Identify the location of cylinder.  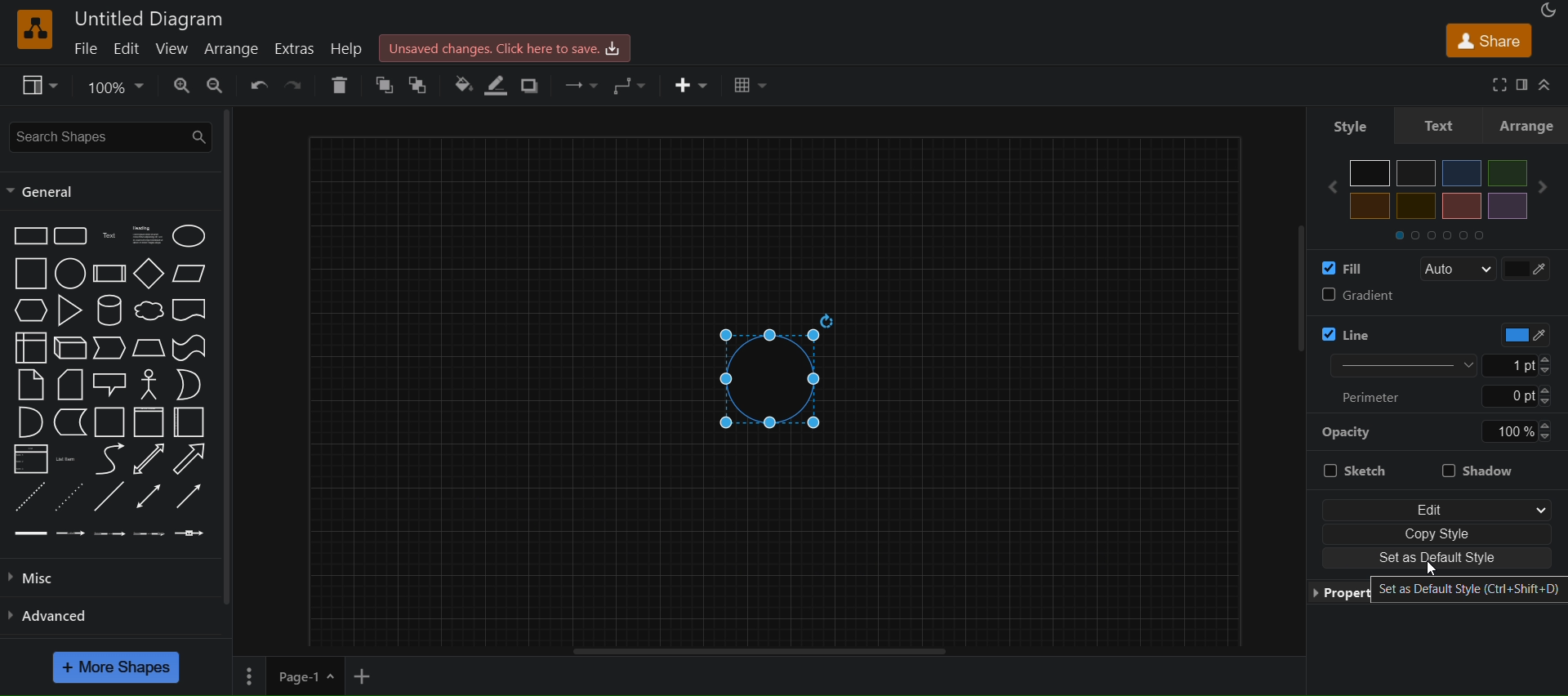
(112, 310).